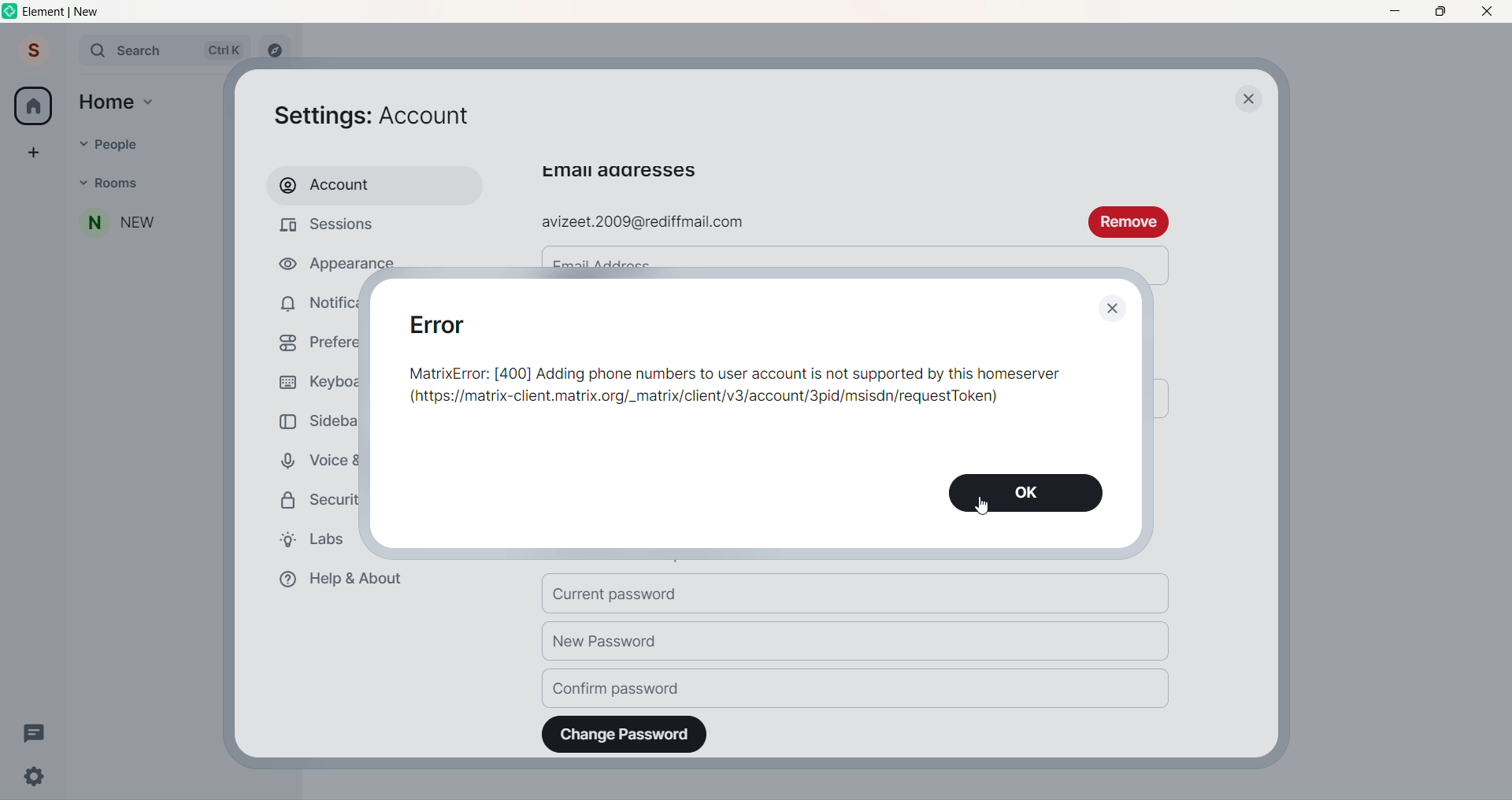 The width and height of the screenshot is (1512, 800). I want to click on Profile, so click(31, 52).